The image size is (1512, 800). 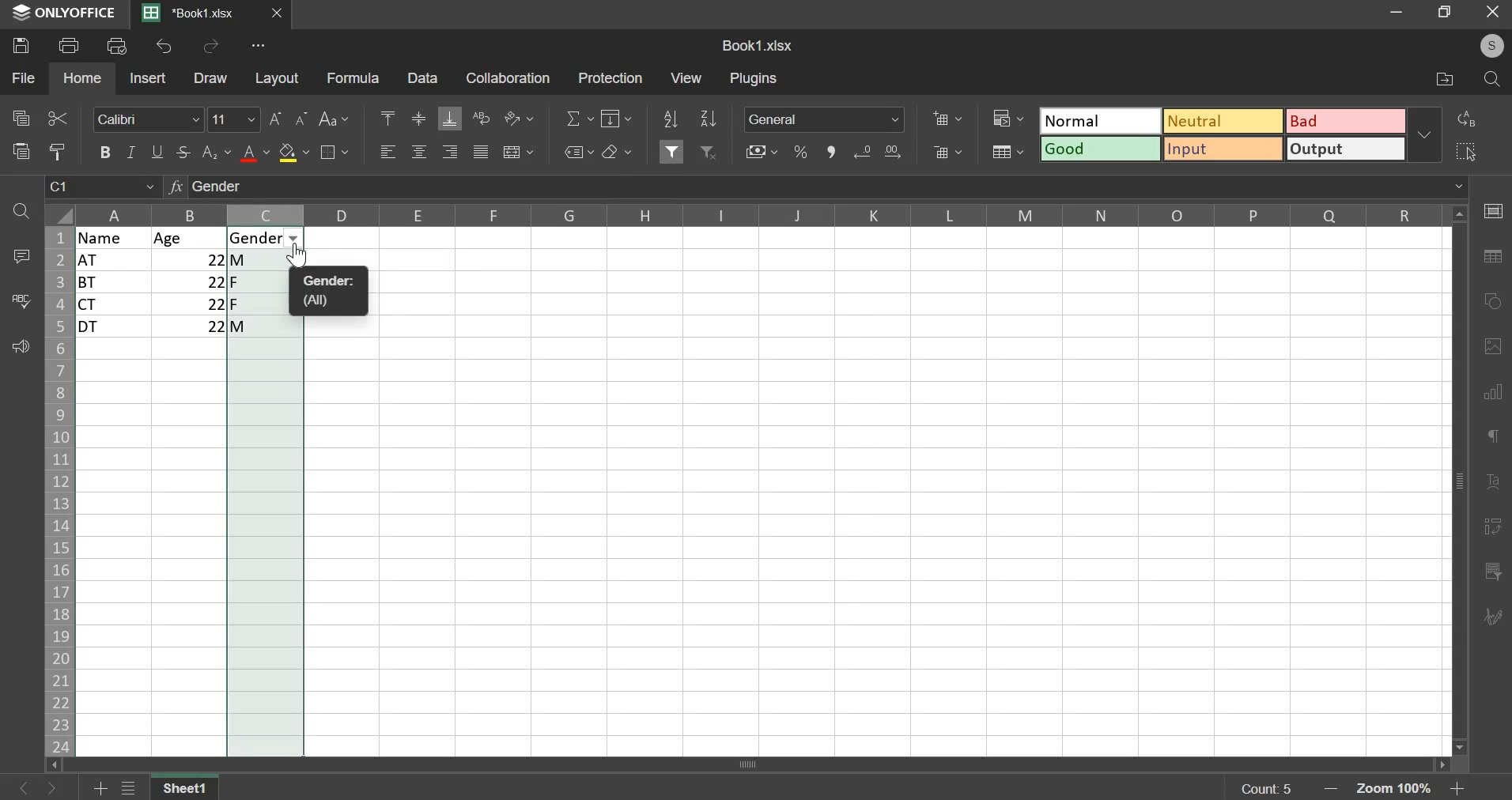 I want to click on align middle, so click(x=418, y=120).